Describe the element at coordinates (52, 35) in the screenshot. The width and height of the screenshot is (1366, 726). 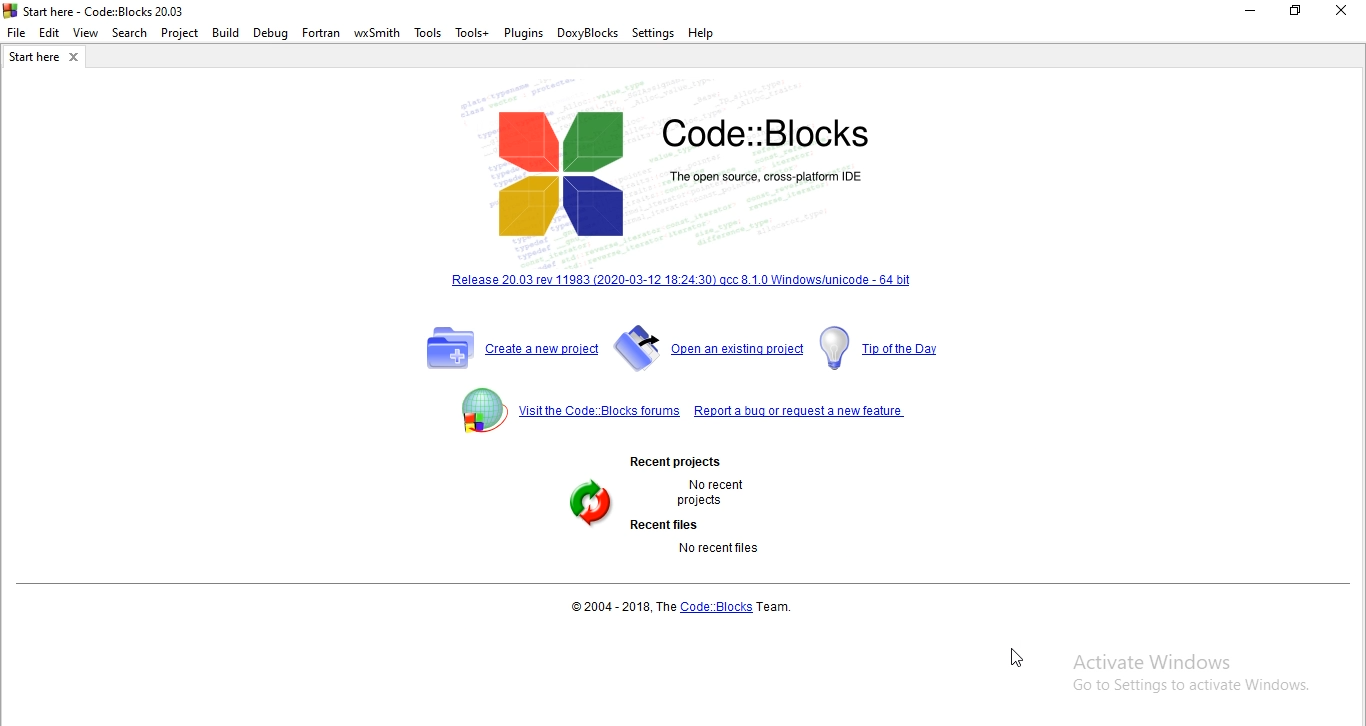
I see `Edit` at that location.